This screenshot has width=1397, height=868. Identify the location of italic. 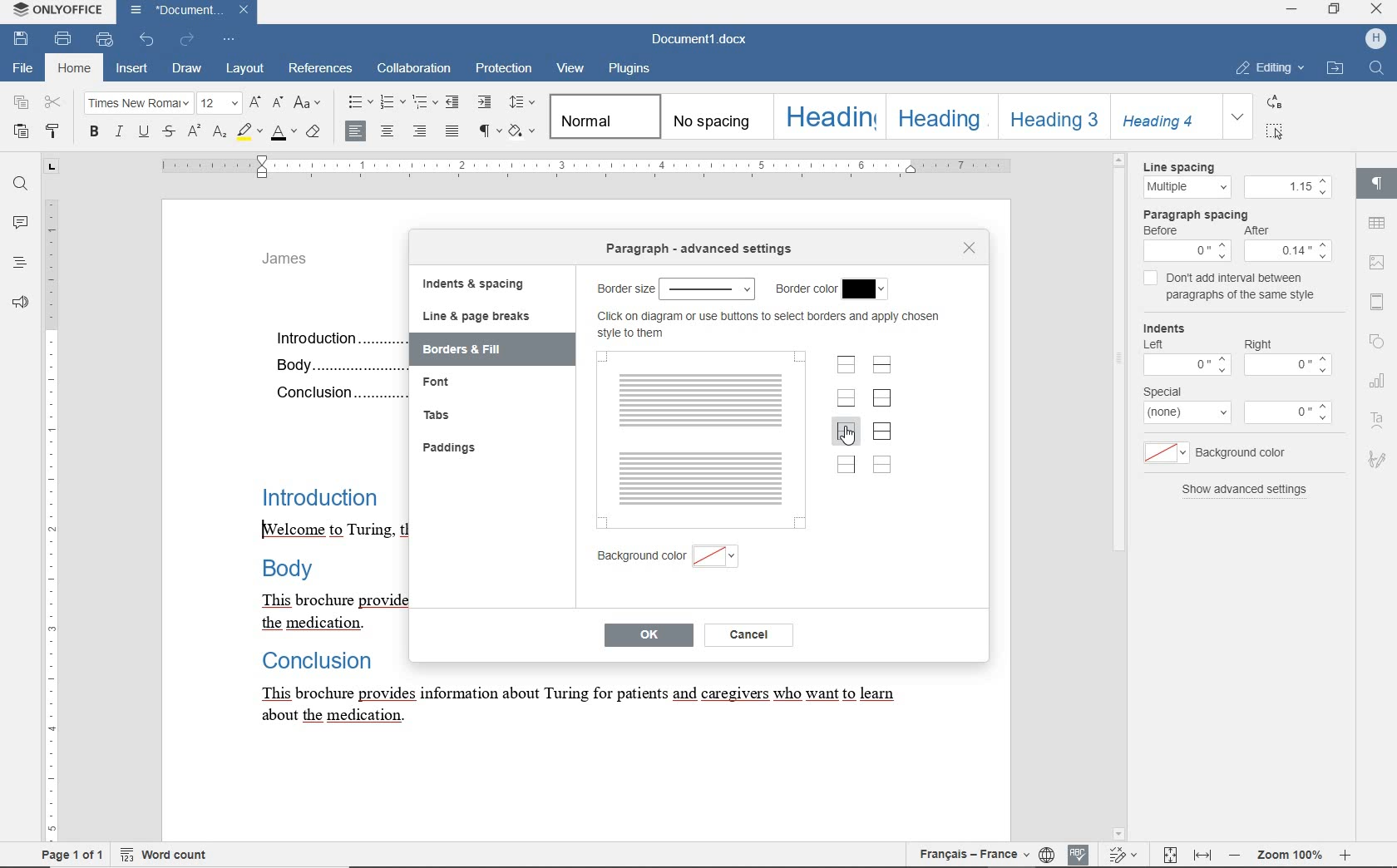
(119, 133).